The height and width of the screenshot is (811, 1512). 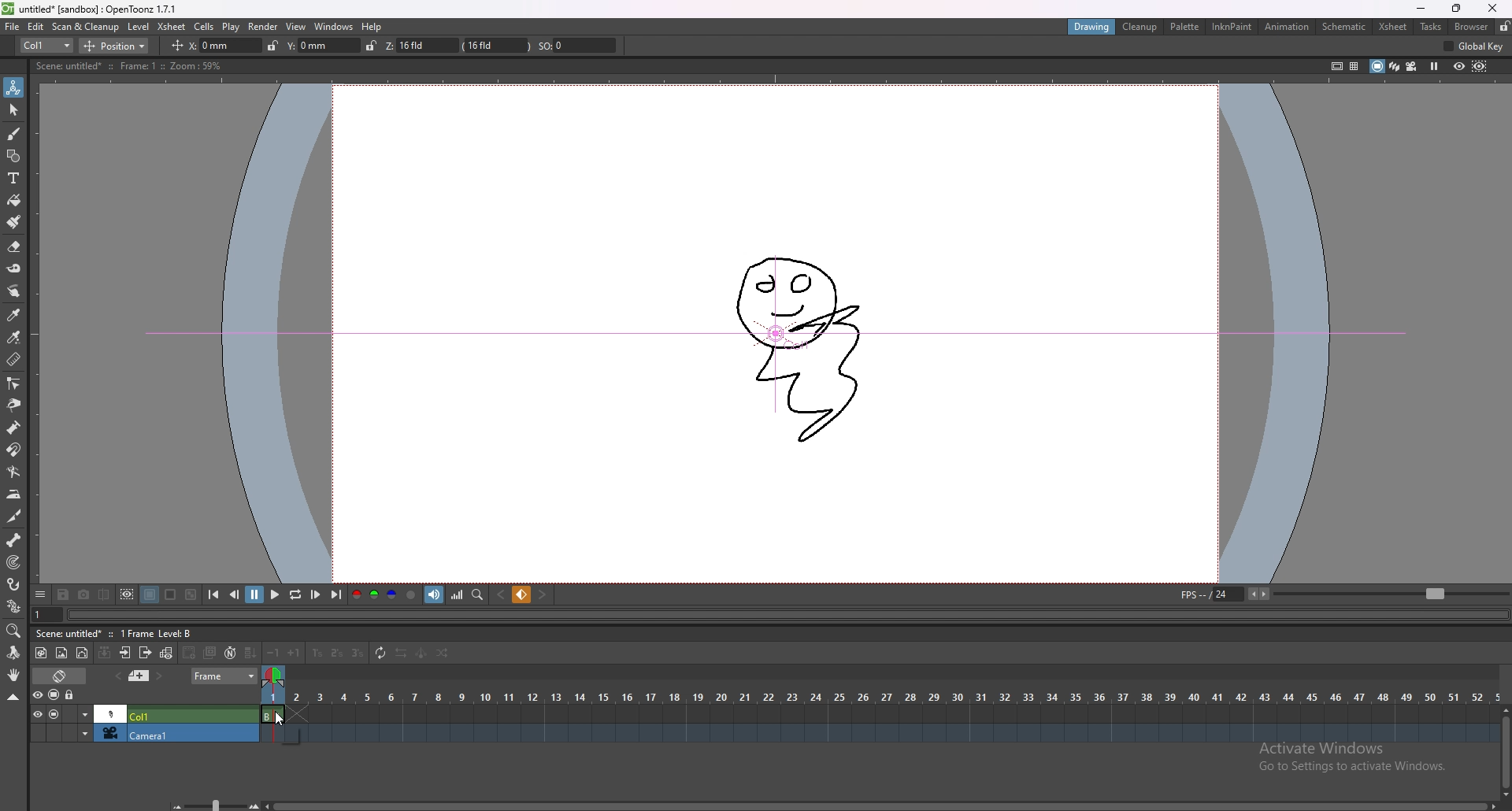 What do you see at coordinates (876, 738) in the screenshot?
I see `camera 1 timeline` at bounding box center [876, 738].